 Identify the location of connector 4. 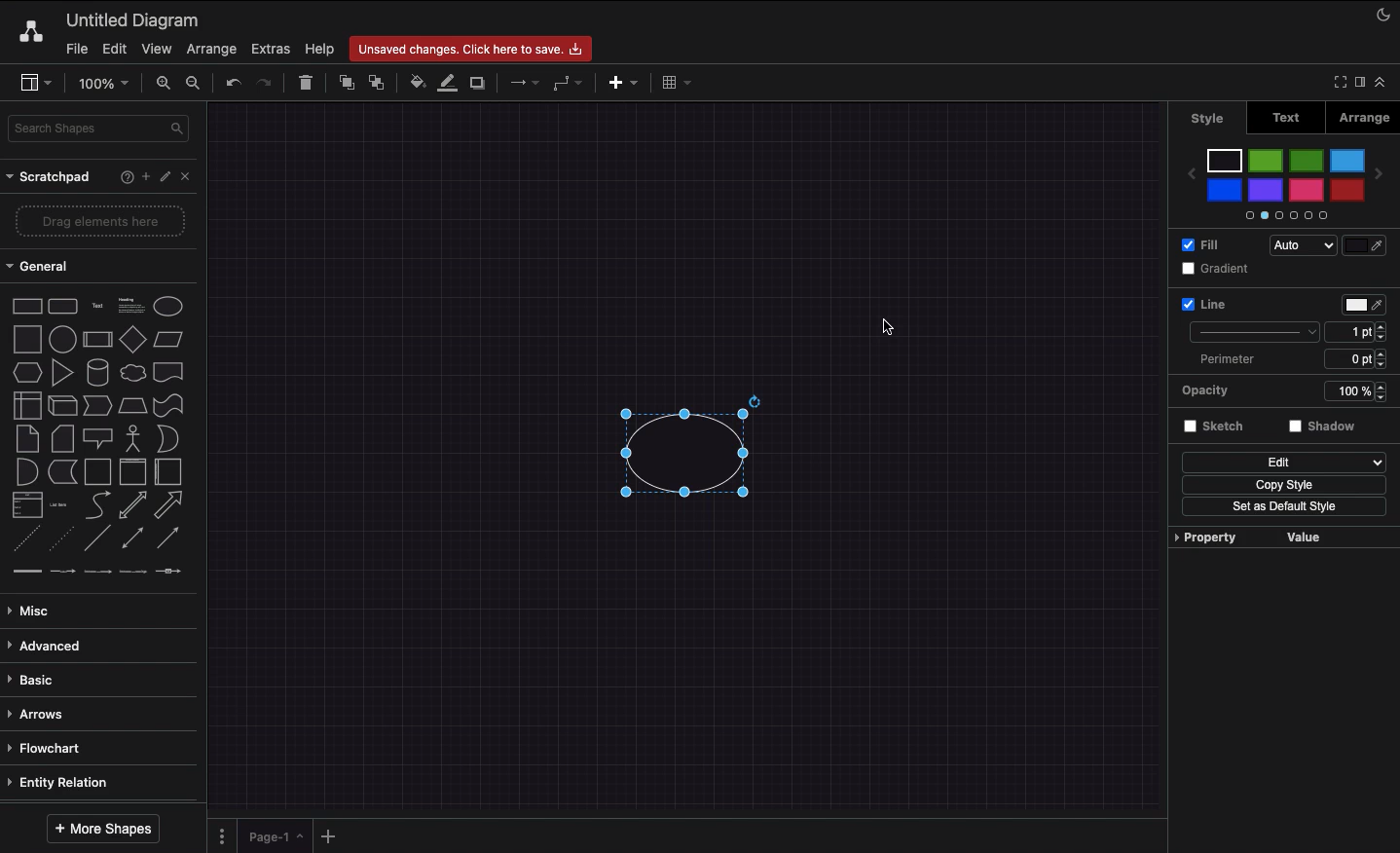
(134, 570).